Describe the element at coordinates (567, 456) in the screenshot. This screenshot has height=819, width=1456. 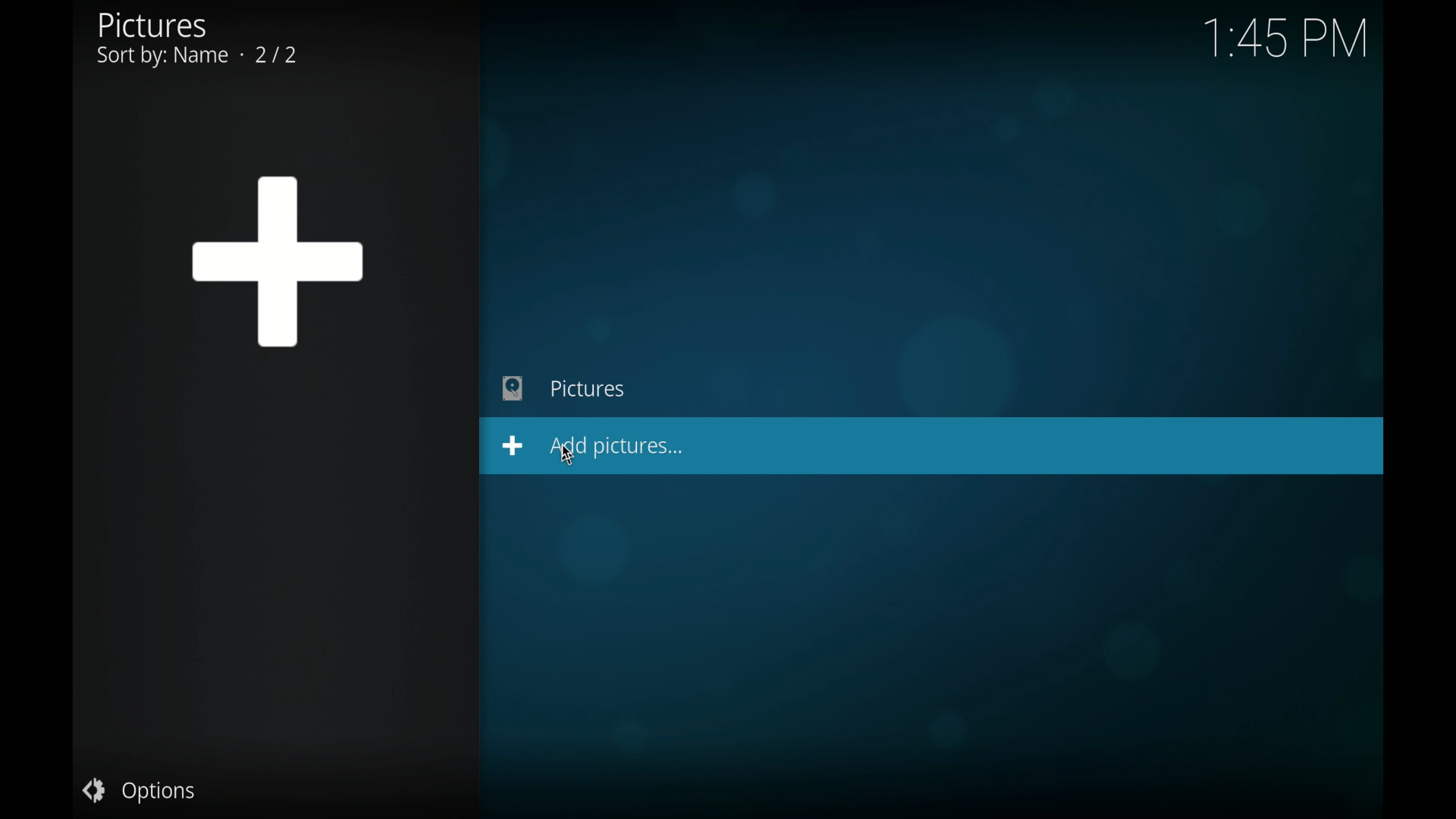
I see `cursor` at that location.